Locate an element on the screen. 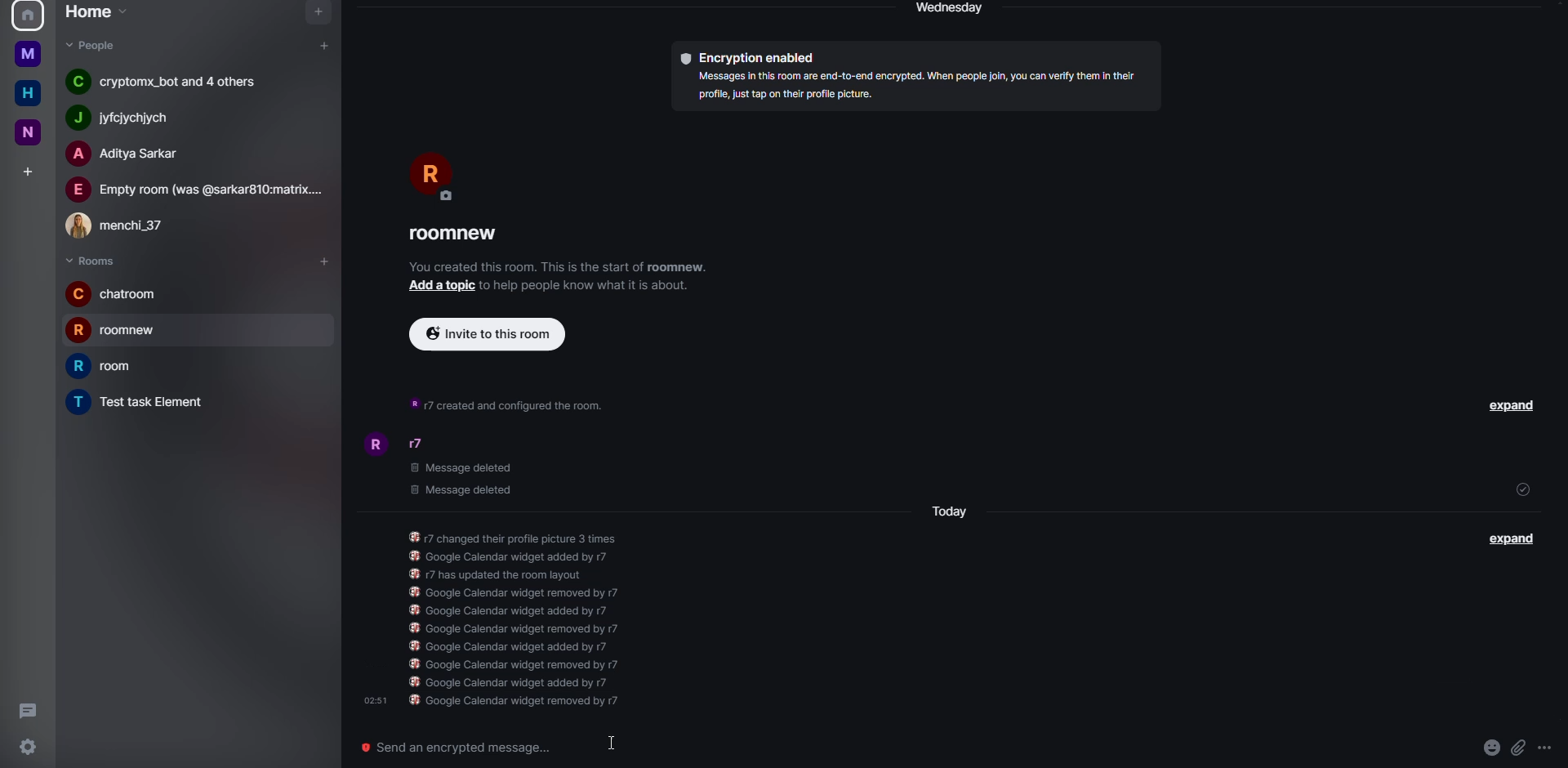 The width and height of the screenshot is (1568, 768). deleted is located at coordinates (462, 479).